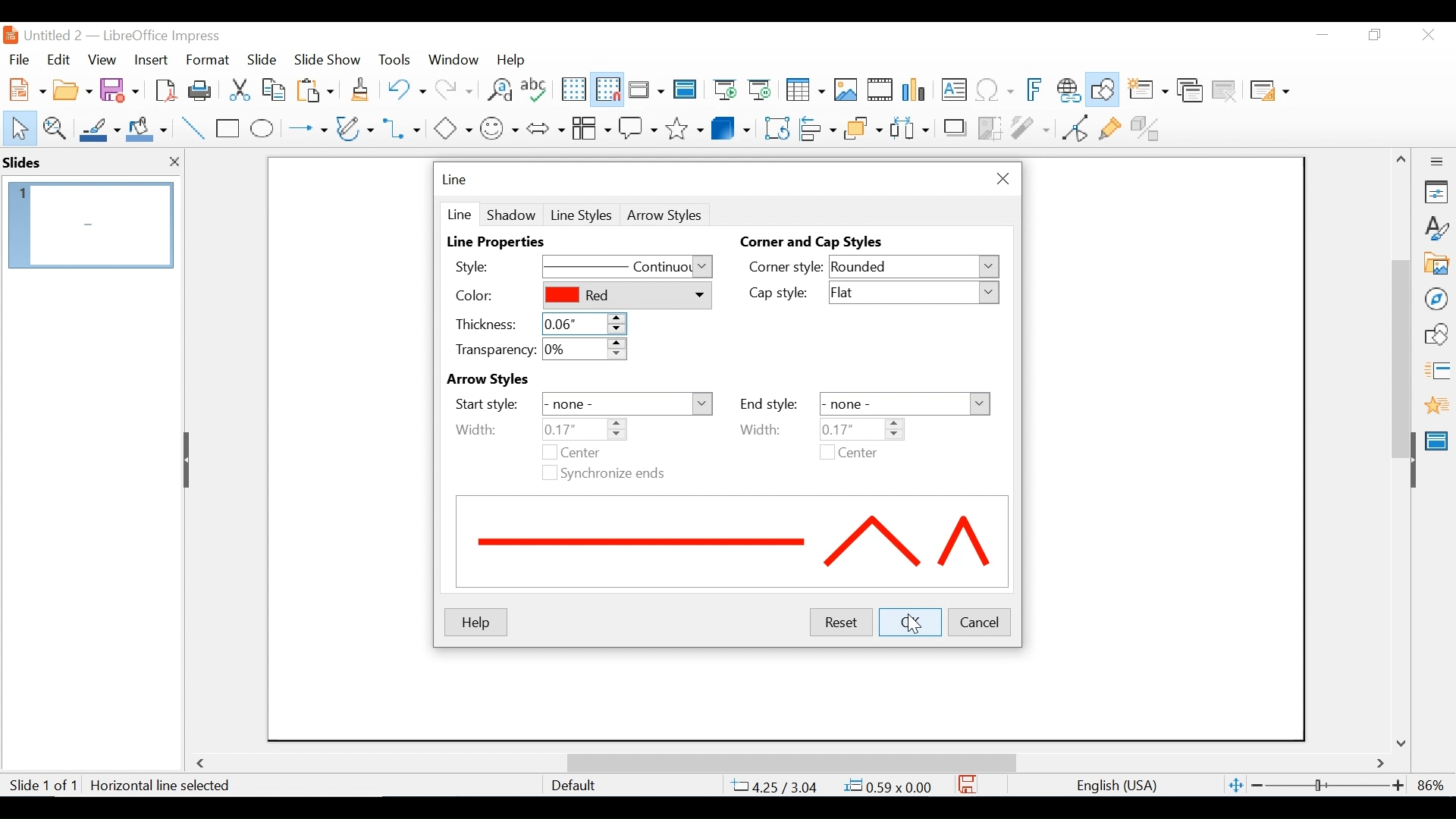  I want to click on Rounded, so click(915, 268).